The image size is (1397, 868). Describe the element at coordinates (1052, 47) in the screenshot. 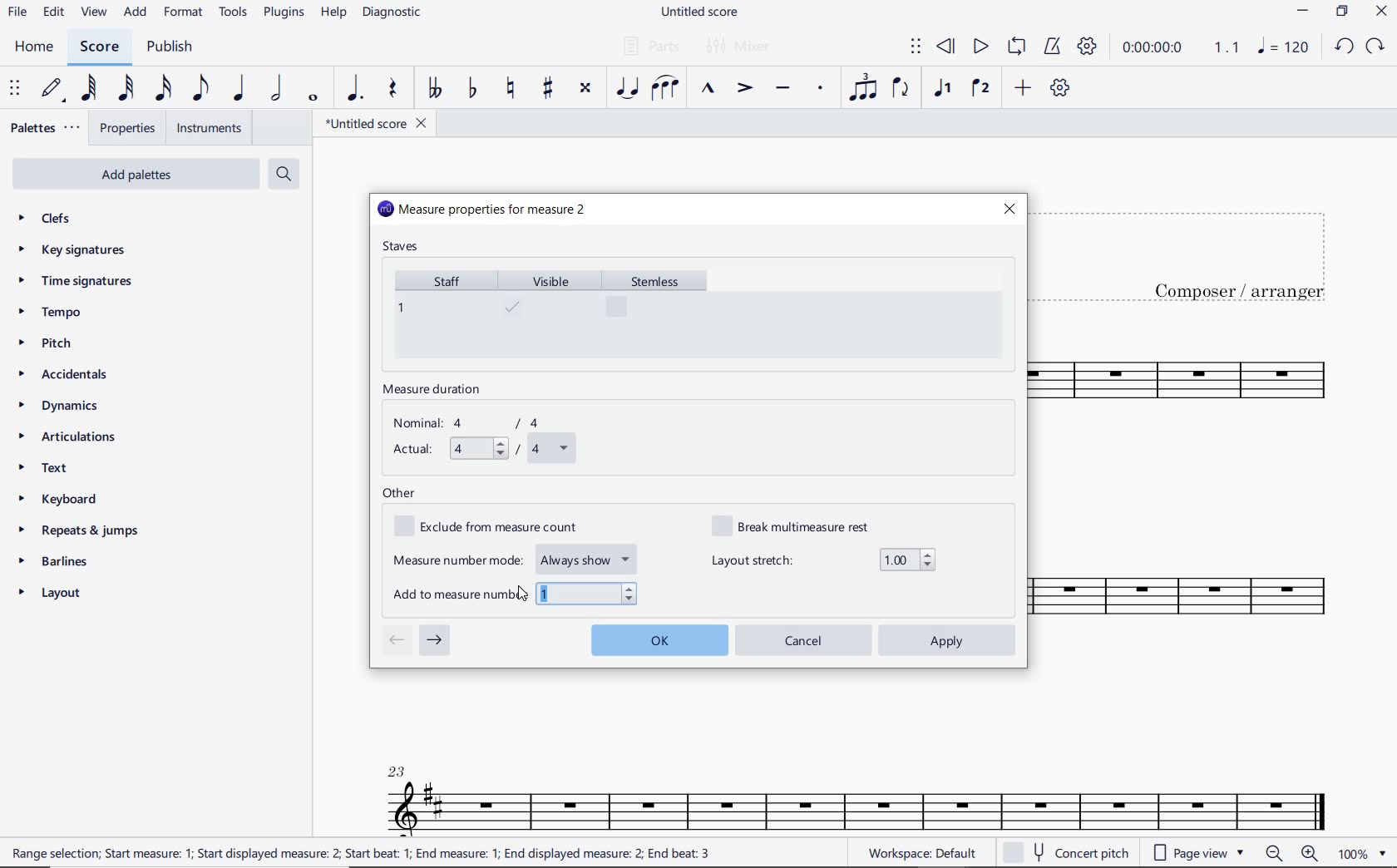

I see `METRONOME` at that location.